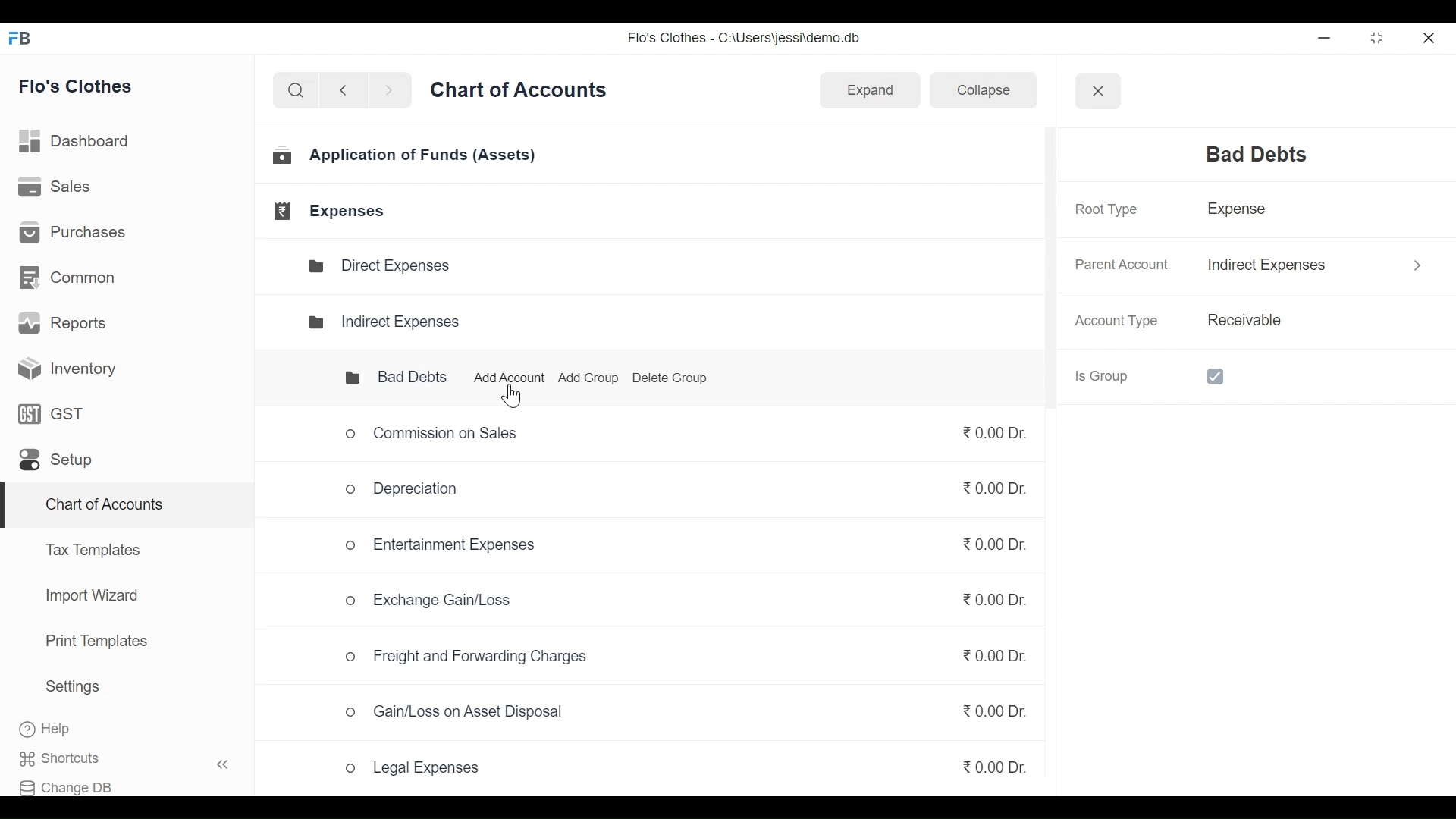  Describe the element at coordinates (55, 463) in the screenshot. I see `Setup` at that location.